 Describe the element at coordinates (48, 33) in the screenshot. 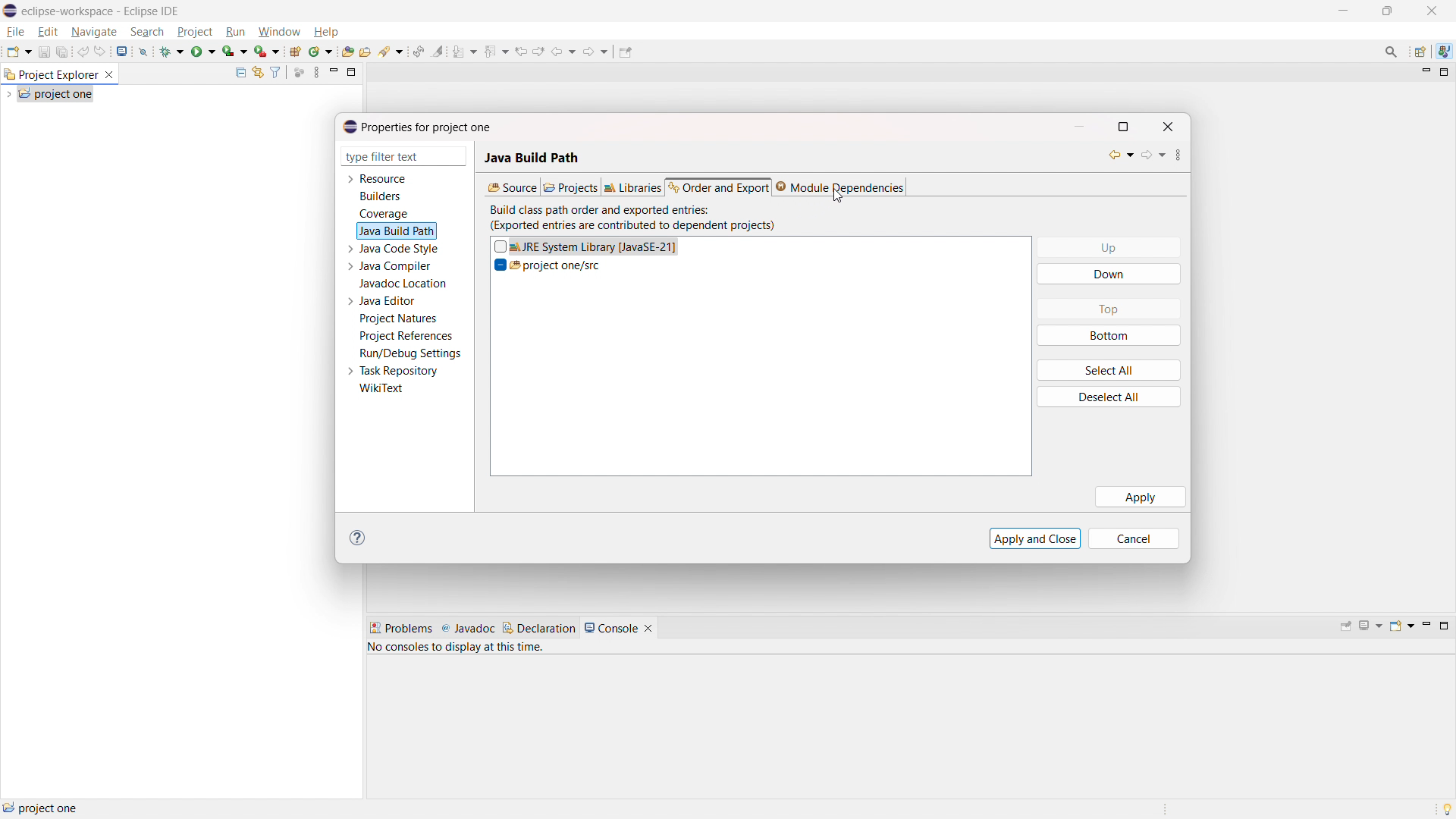

I see `edit` at that location.